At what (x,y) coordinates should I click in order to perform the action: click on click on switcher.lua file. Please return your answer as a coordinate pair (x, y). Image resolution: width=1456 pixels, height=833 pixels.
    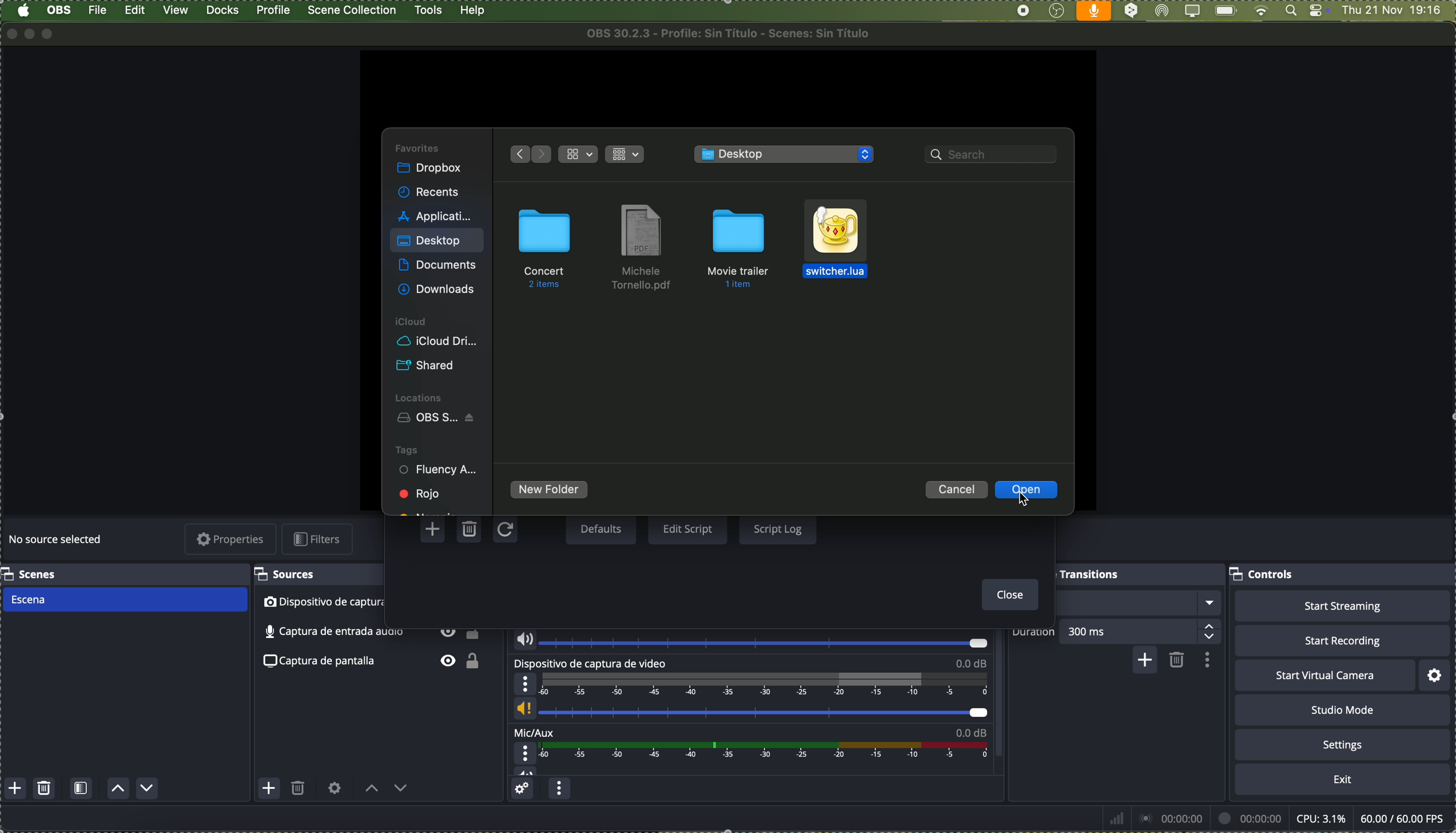
    Looking at the image, I should click on (836, 243).